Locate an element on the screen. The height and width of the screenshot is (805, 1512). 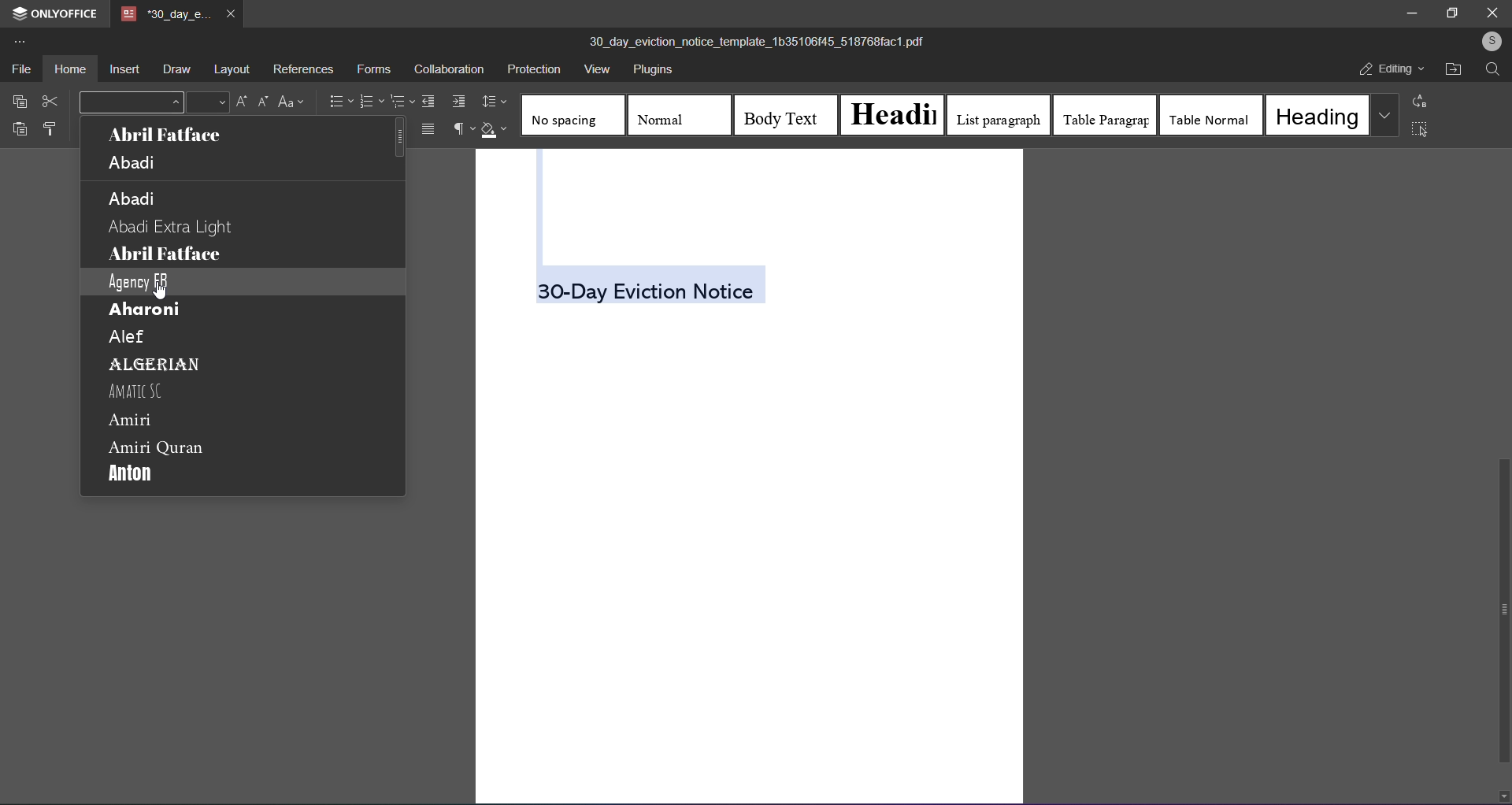
aharoni is located at coordinates (150, 310).